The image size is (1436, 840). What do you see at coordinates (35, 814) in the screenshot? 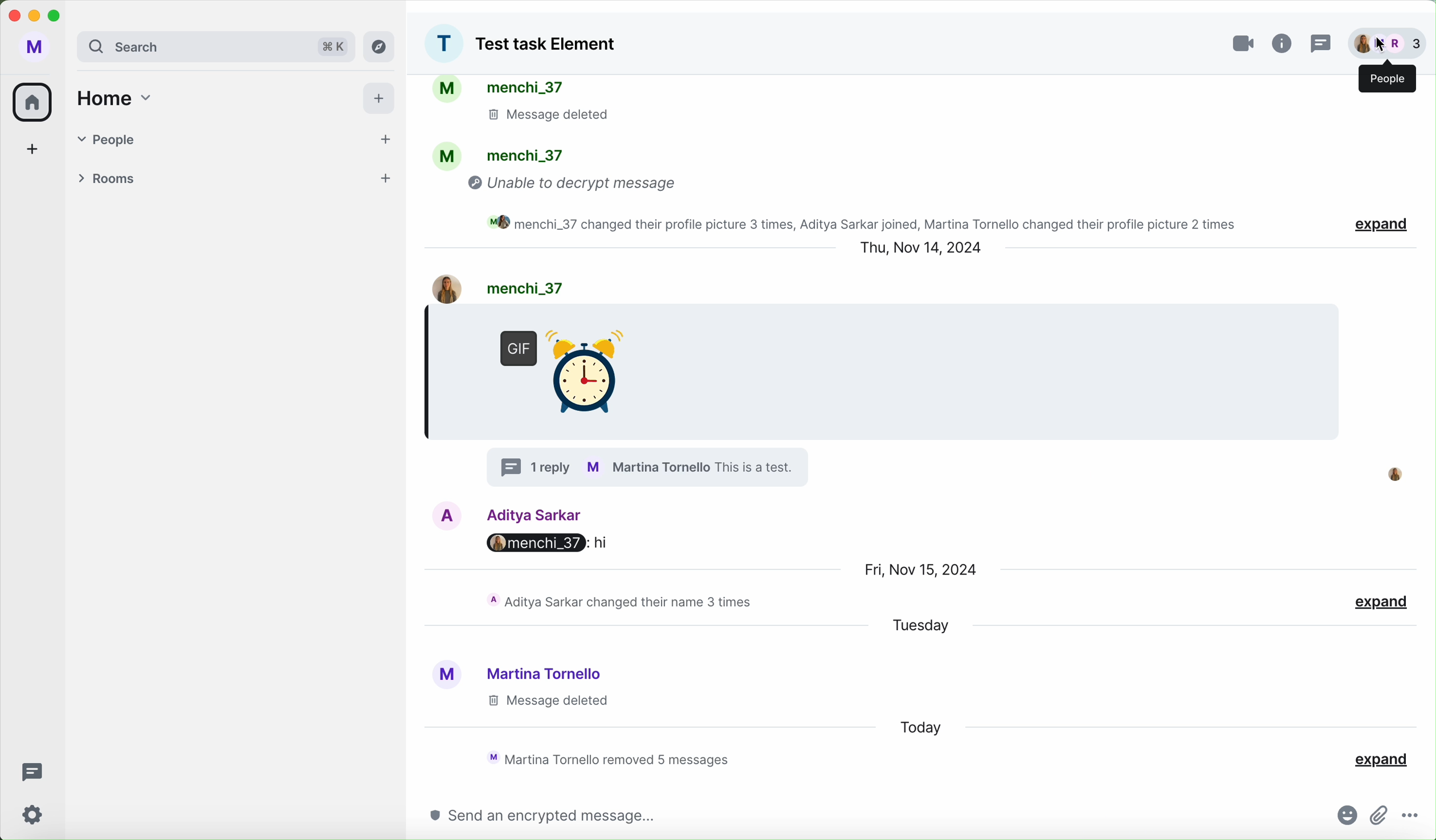
I see `settings` at bounding box center [35, 814].